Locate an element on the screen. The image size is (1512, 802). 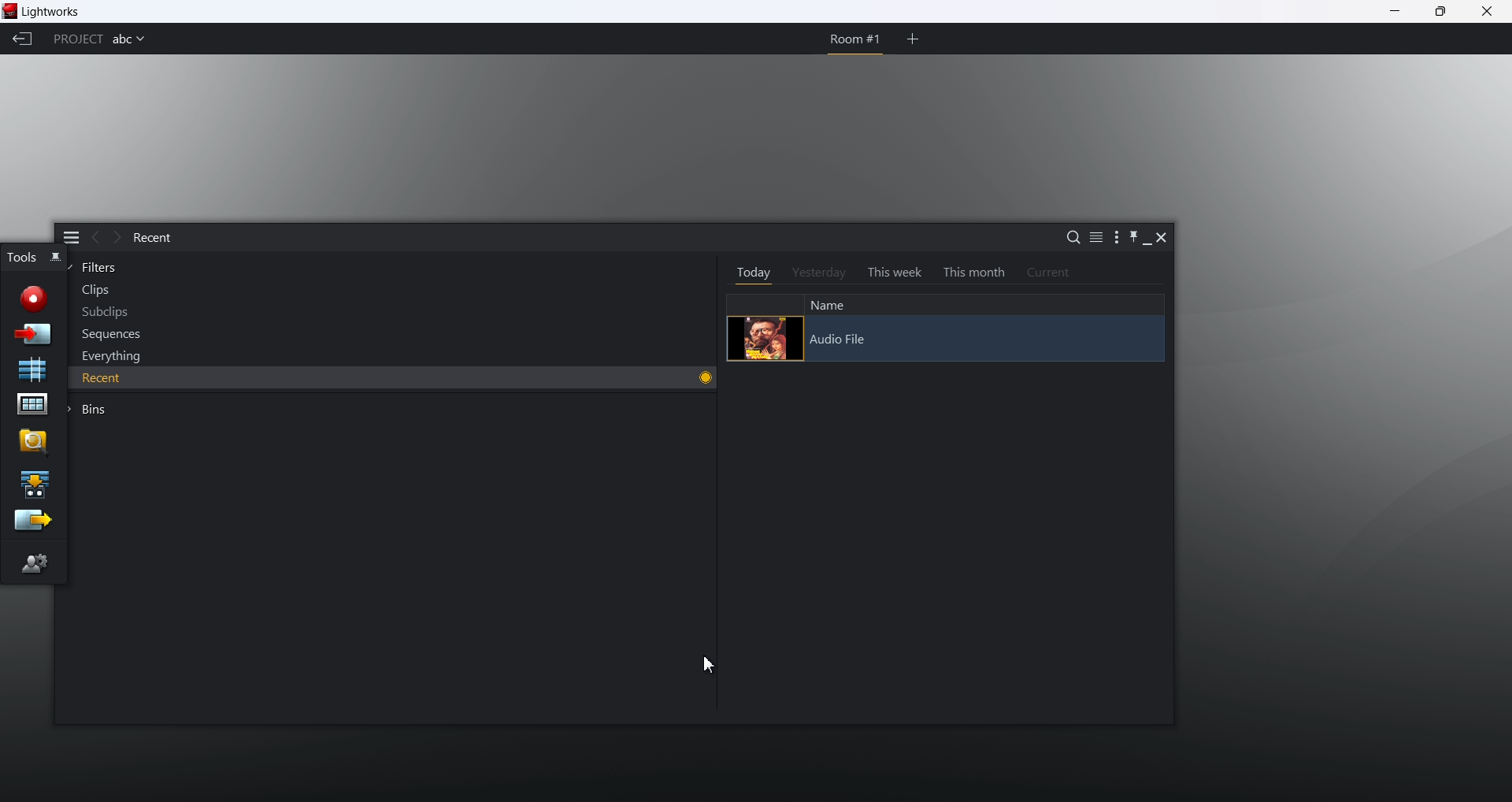
import is located at coordinates (35, 333).